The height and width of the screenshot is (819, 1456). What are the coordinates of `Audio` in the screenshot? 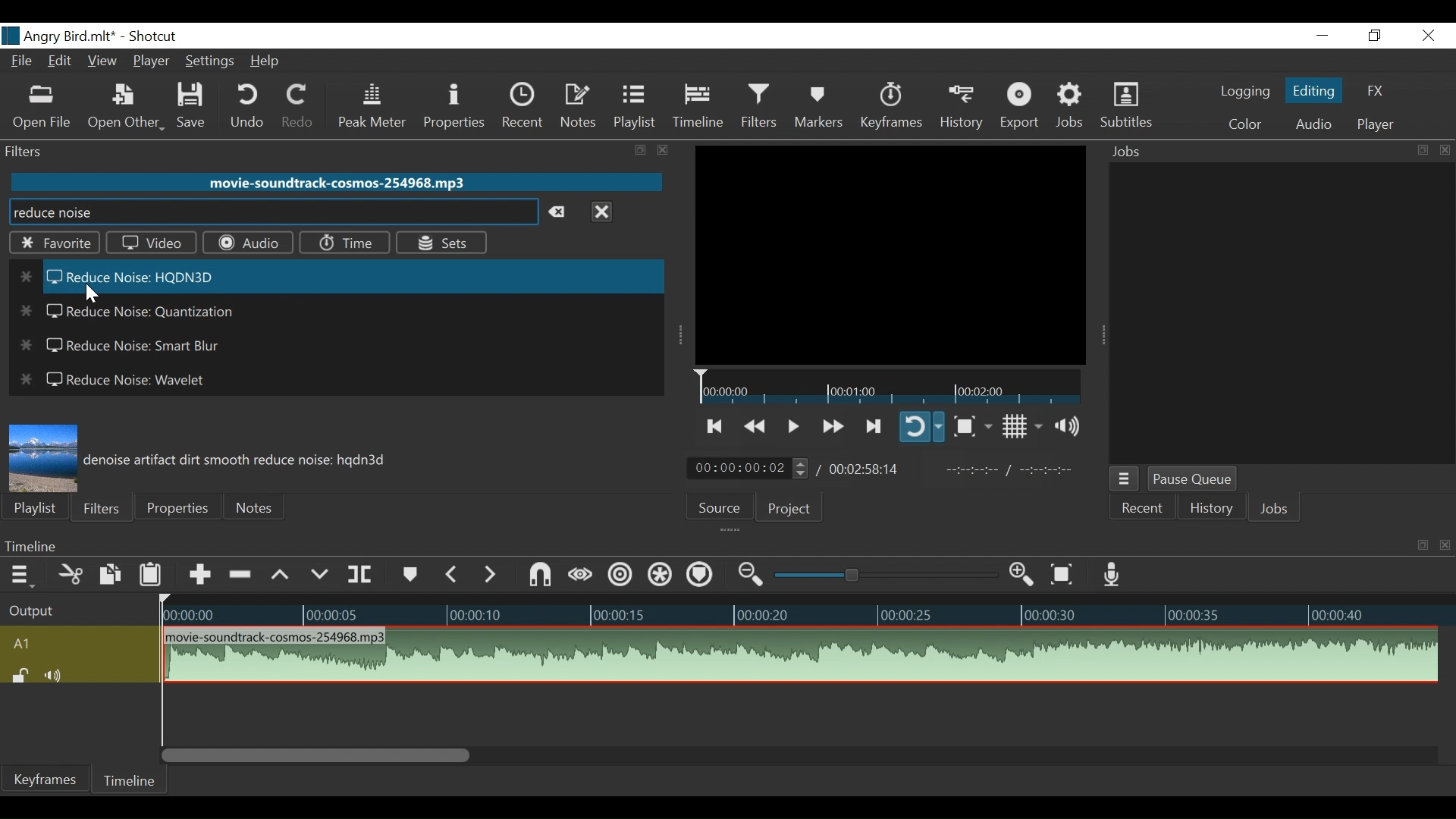 It's located at (247, 242).